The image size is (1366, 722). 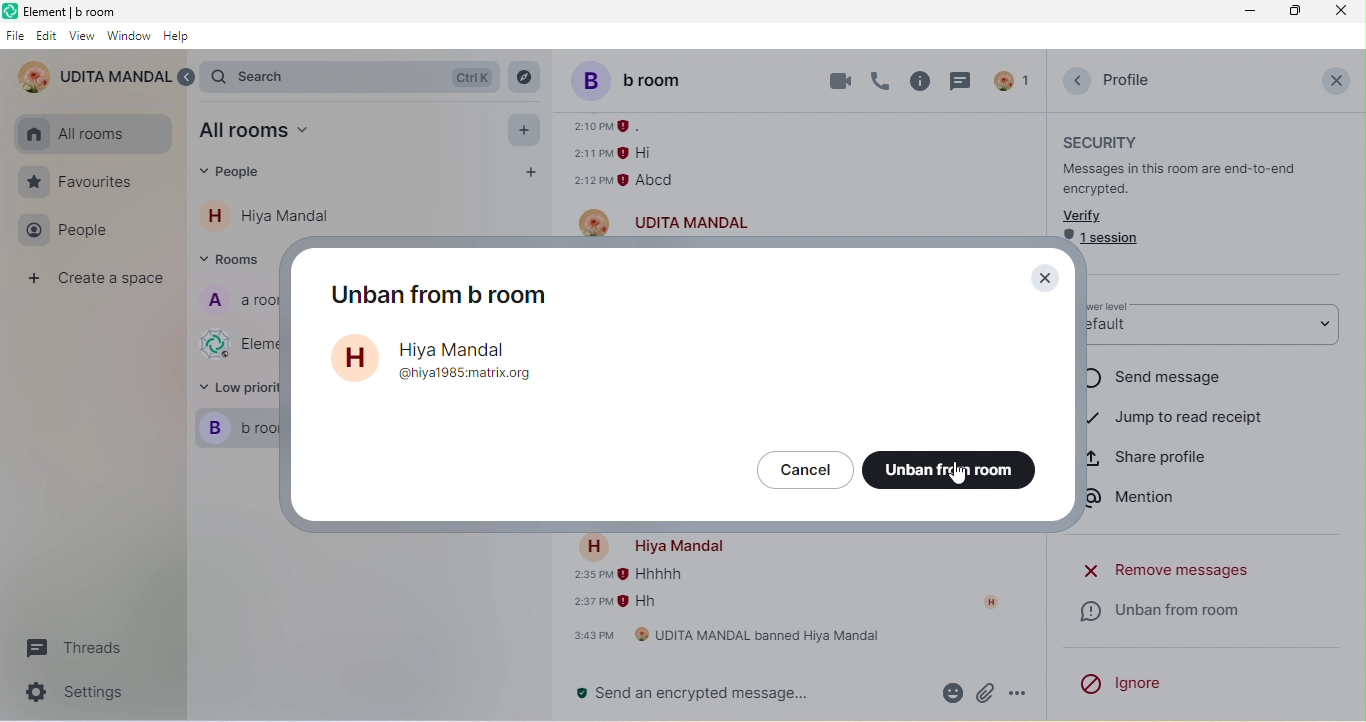 What do you see at coordinates (663, 545) in the screenshot?
I see `account name-hiya mandal` at bounding box center [663, 545].